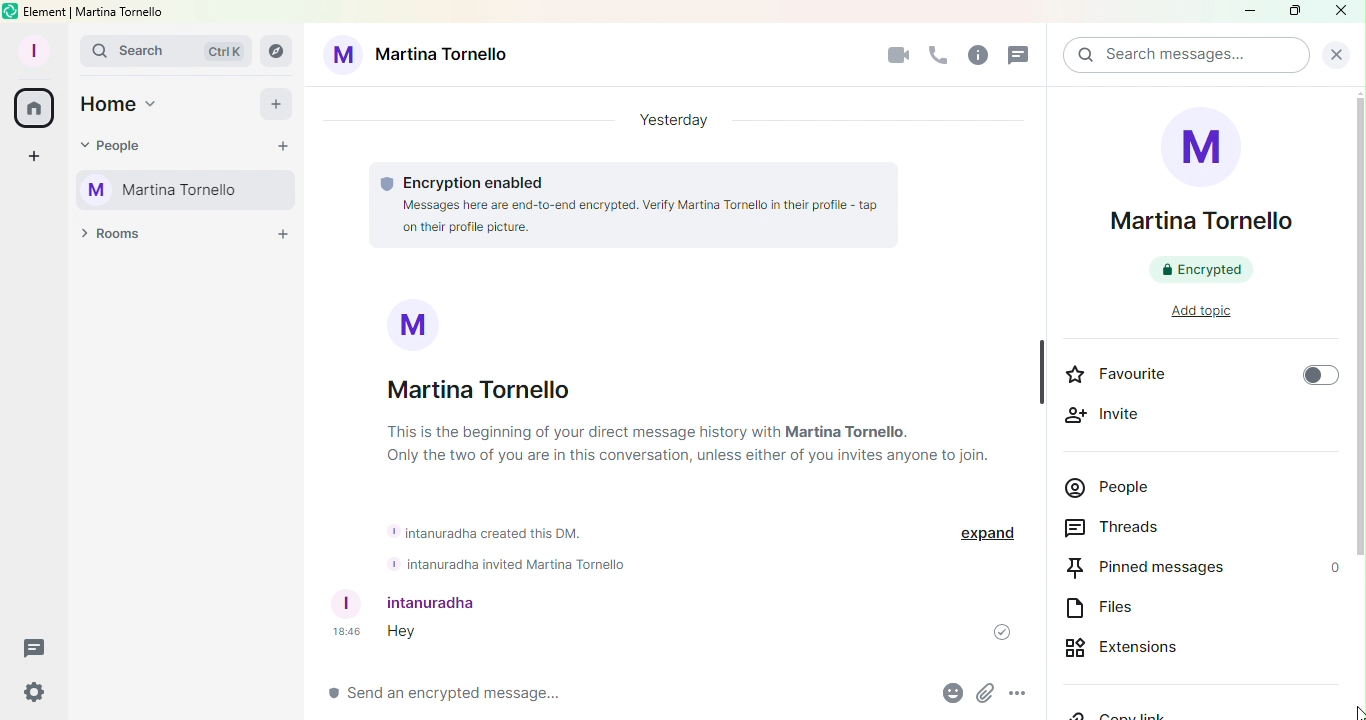 The height and width of the screenshot is (720, 1366). What do you see at coordinates (952, 693) in the screenshot?
I see `Emoji` at bounding box center [952, 693].